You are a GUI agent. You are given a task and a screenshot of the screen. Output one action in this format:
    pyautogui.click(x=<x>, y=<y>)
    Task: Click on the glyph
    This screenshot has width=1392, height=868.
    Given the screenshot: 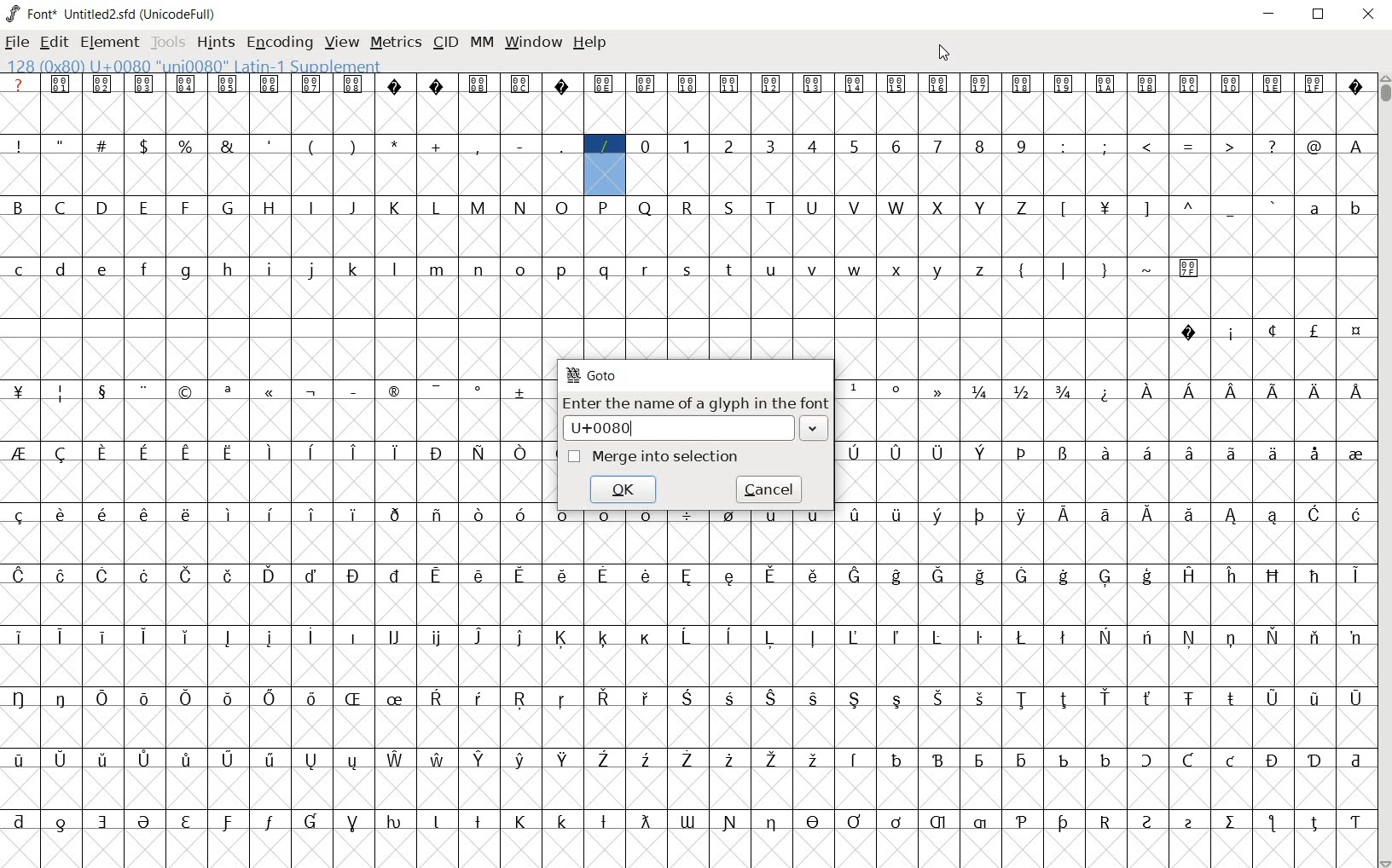 What is the action you would take?
    pyautogui.click(x=1064, y=147)
    